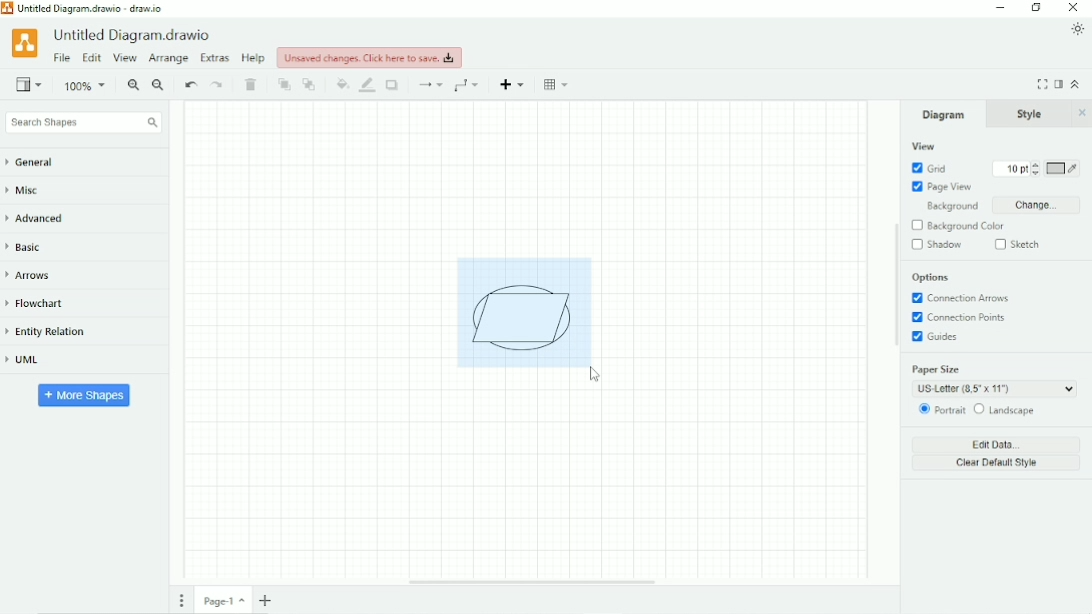 This screenshot has width=1092, height=614. What do you see at coordinates (368, 85) in the screenshot?
I see `Line color` at bounding box center [368, 85].